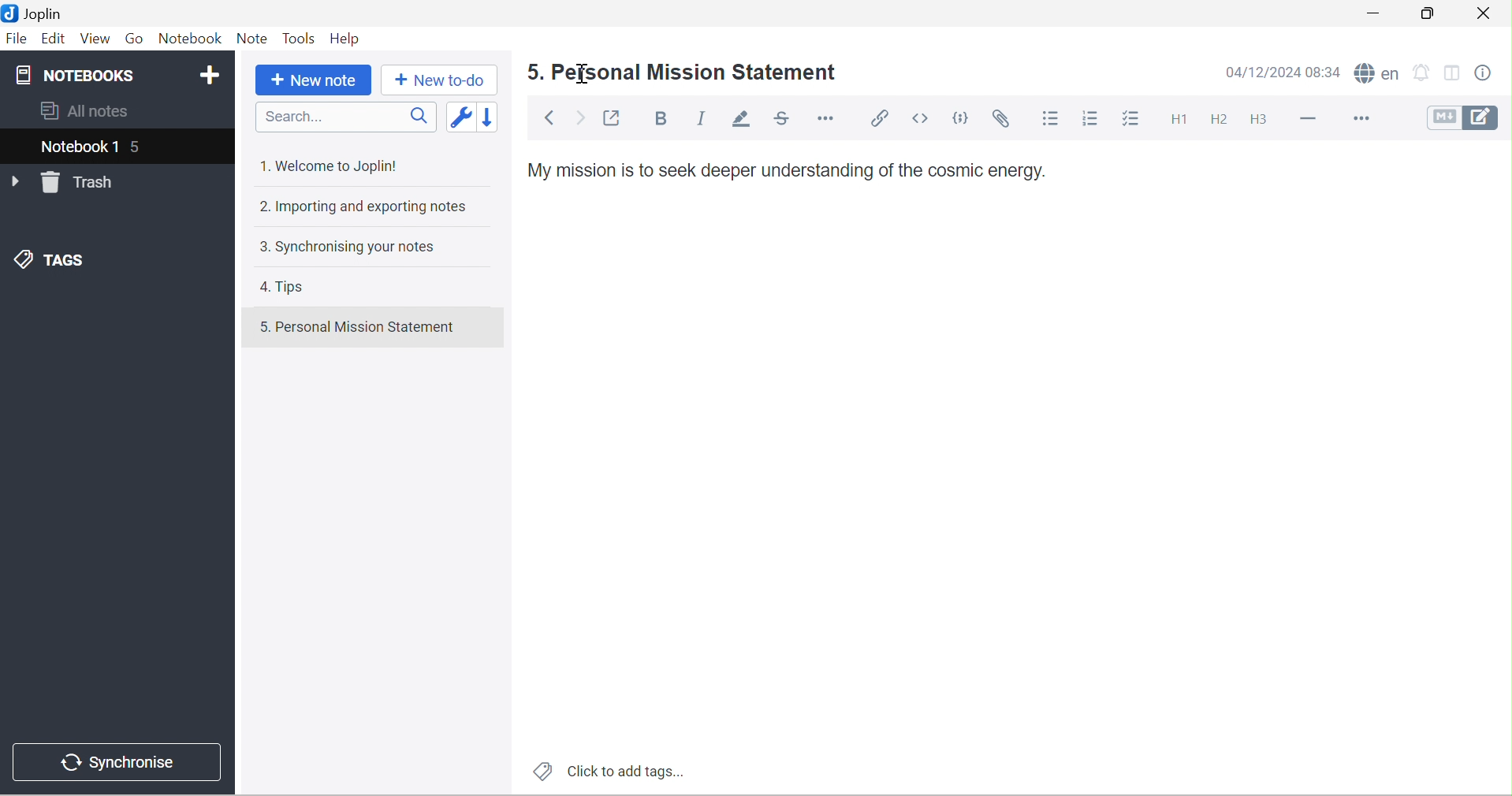  I want to click on NOTEBOOKS, so click(80, 73).